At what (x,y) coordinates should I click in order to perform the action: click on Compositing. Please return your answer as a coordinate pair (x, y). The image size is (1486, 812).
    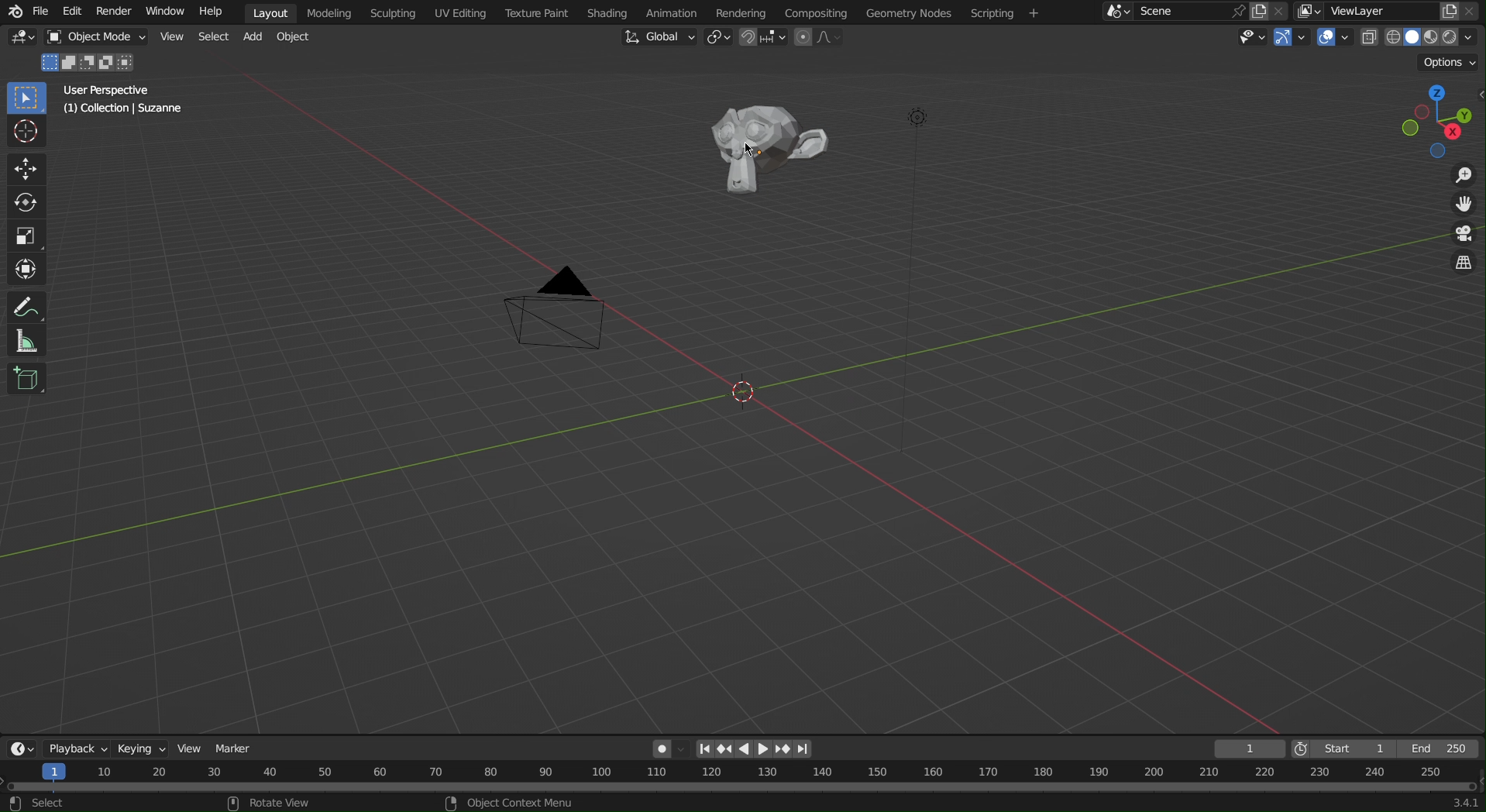
    Looking at the image, I should click on (816, 12).